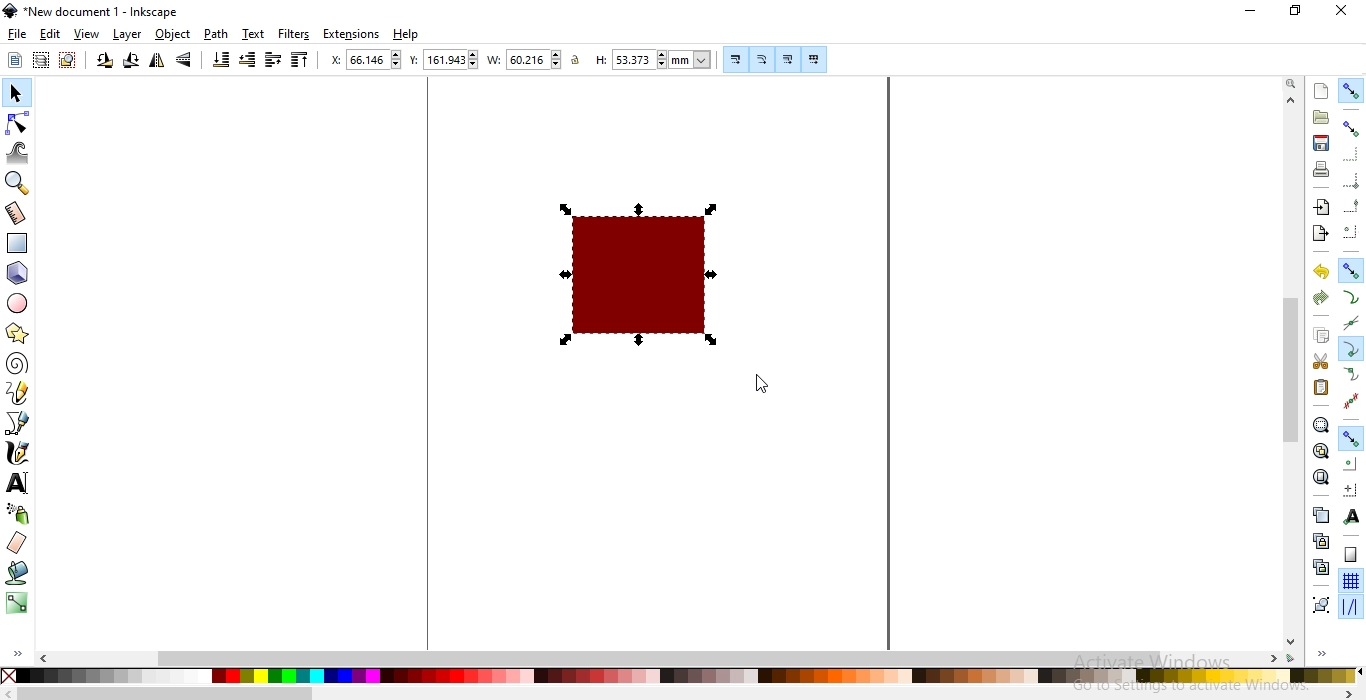  What do you see at coordinates (16, 364) in the screenshot?
I see `create spiral` at bounding box center [16, 364].